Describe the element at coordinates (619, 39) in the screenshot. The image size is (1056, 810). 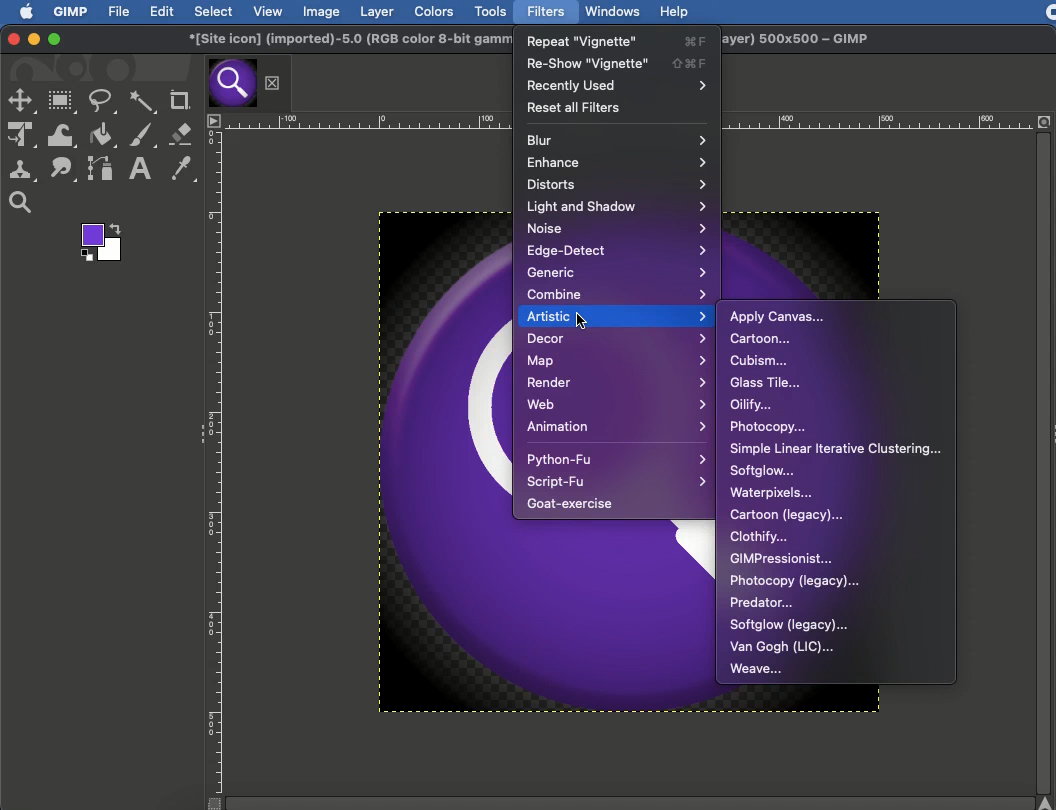
I see `Repeat vignette` at that location.